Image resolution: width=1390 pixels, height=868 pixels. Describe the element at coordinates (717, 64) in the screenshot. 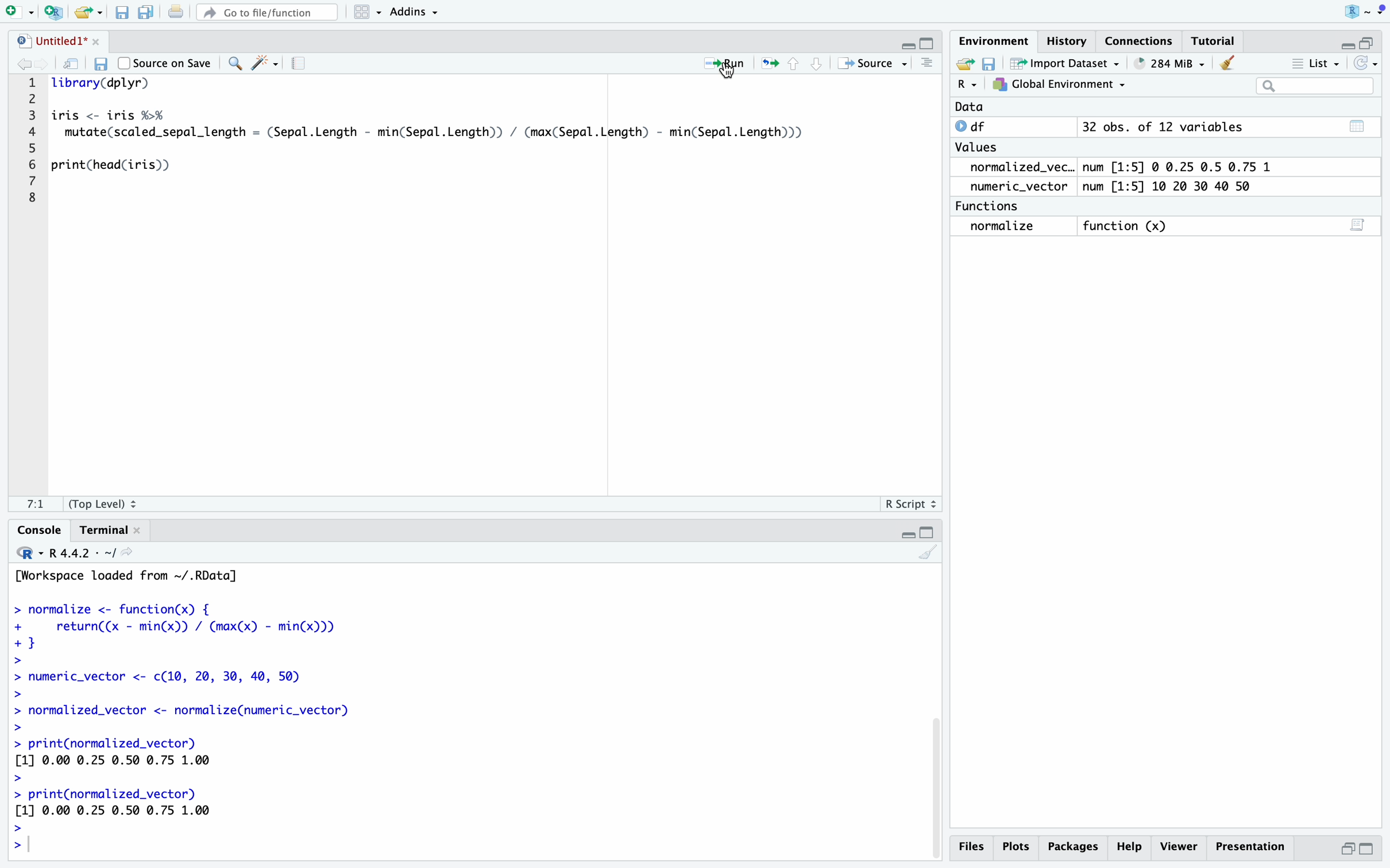

I see `Run` at that location.